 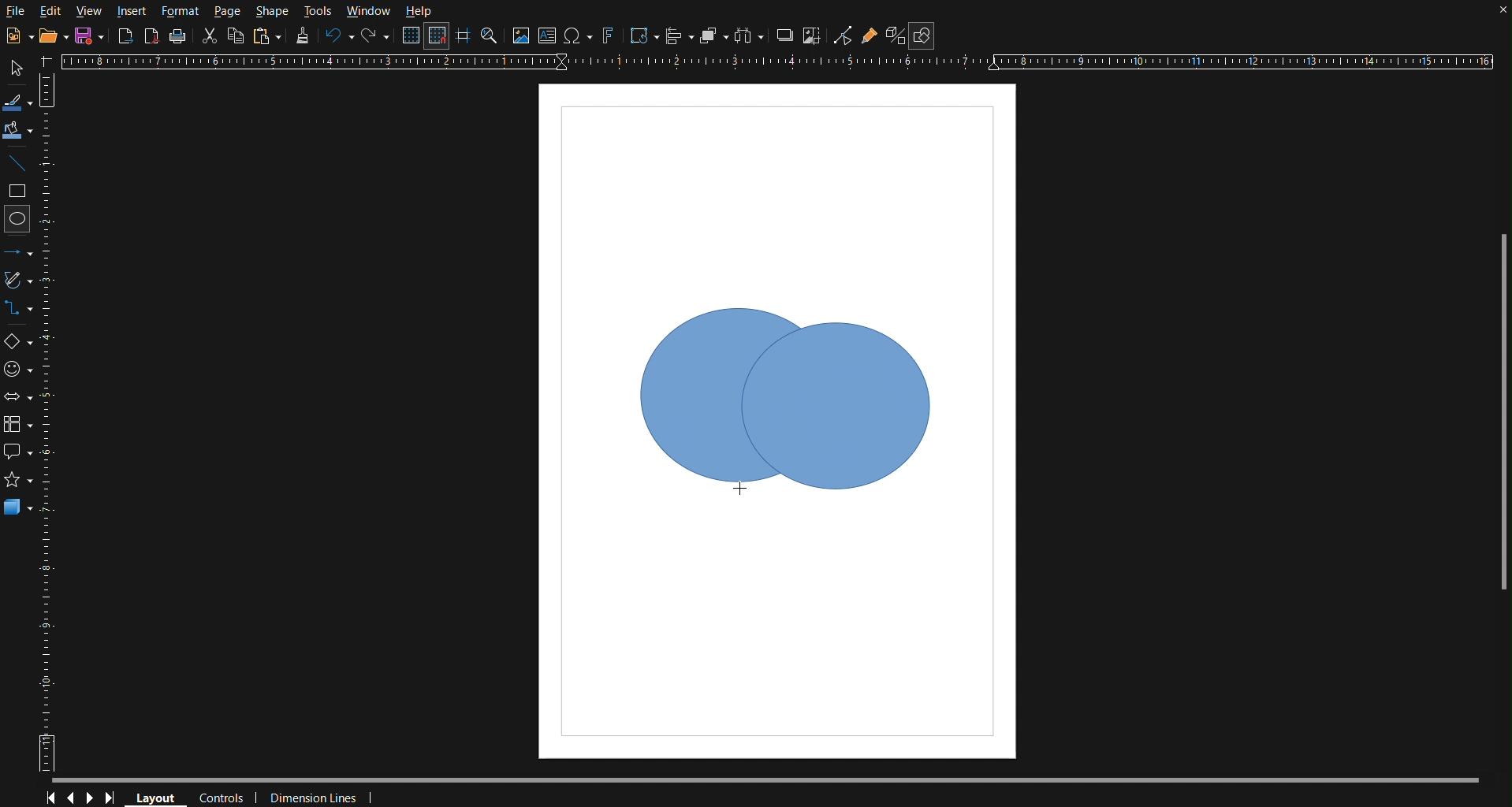 What do you see at coordinates (922, 36) in the screenshot?
I see `Show Draw Functions` at bounding box center [922, 36].